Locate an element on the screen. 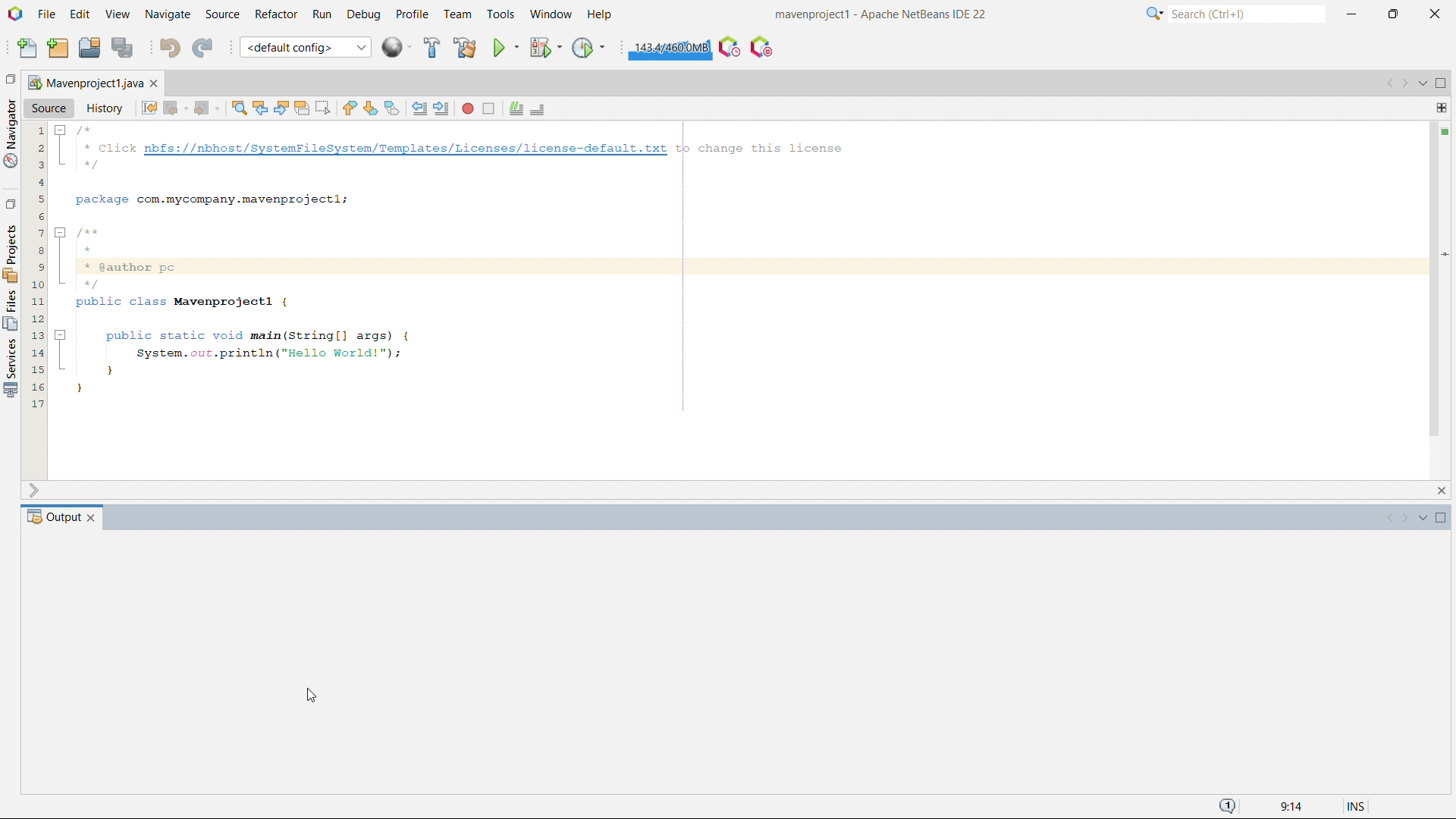  team is located at coordinates (459, 14).